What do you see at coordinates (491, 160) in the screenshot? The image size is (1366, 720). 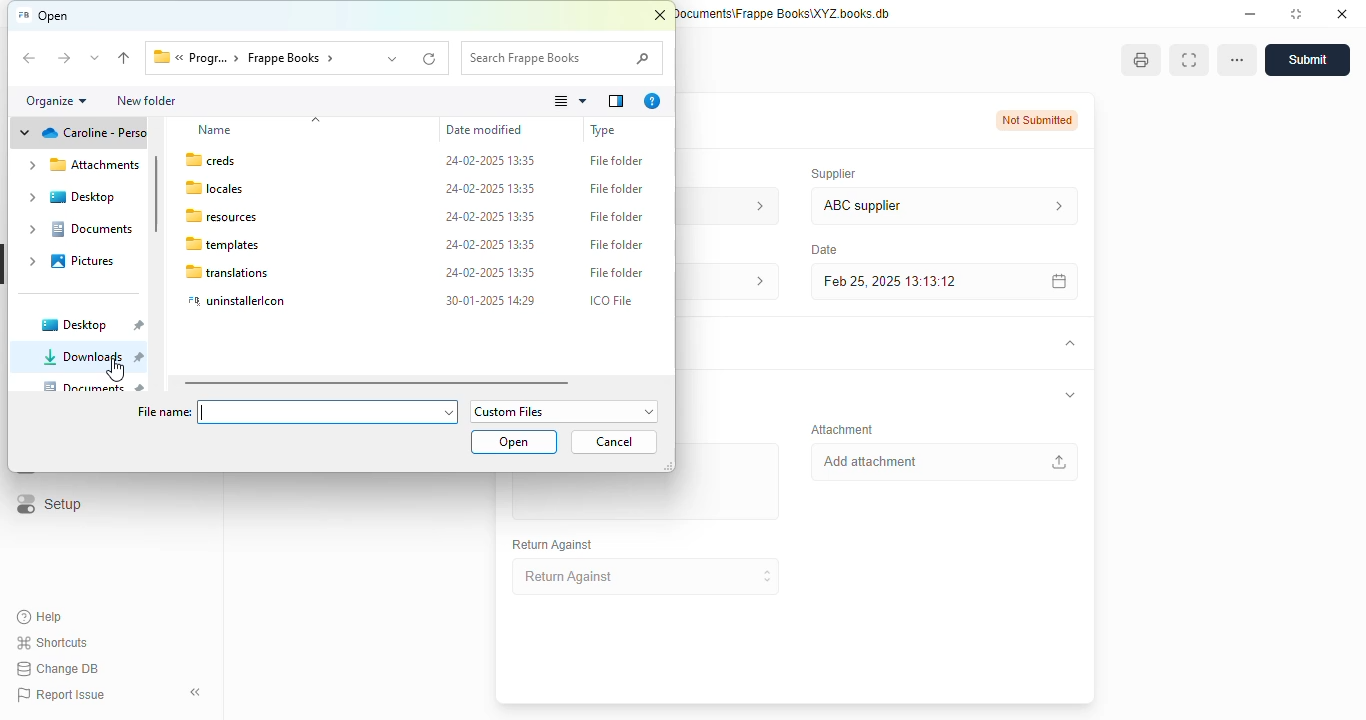 I see `24-02-2025 13:35` at bounding box center [491, 160].